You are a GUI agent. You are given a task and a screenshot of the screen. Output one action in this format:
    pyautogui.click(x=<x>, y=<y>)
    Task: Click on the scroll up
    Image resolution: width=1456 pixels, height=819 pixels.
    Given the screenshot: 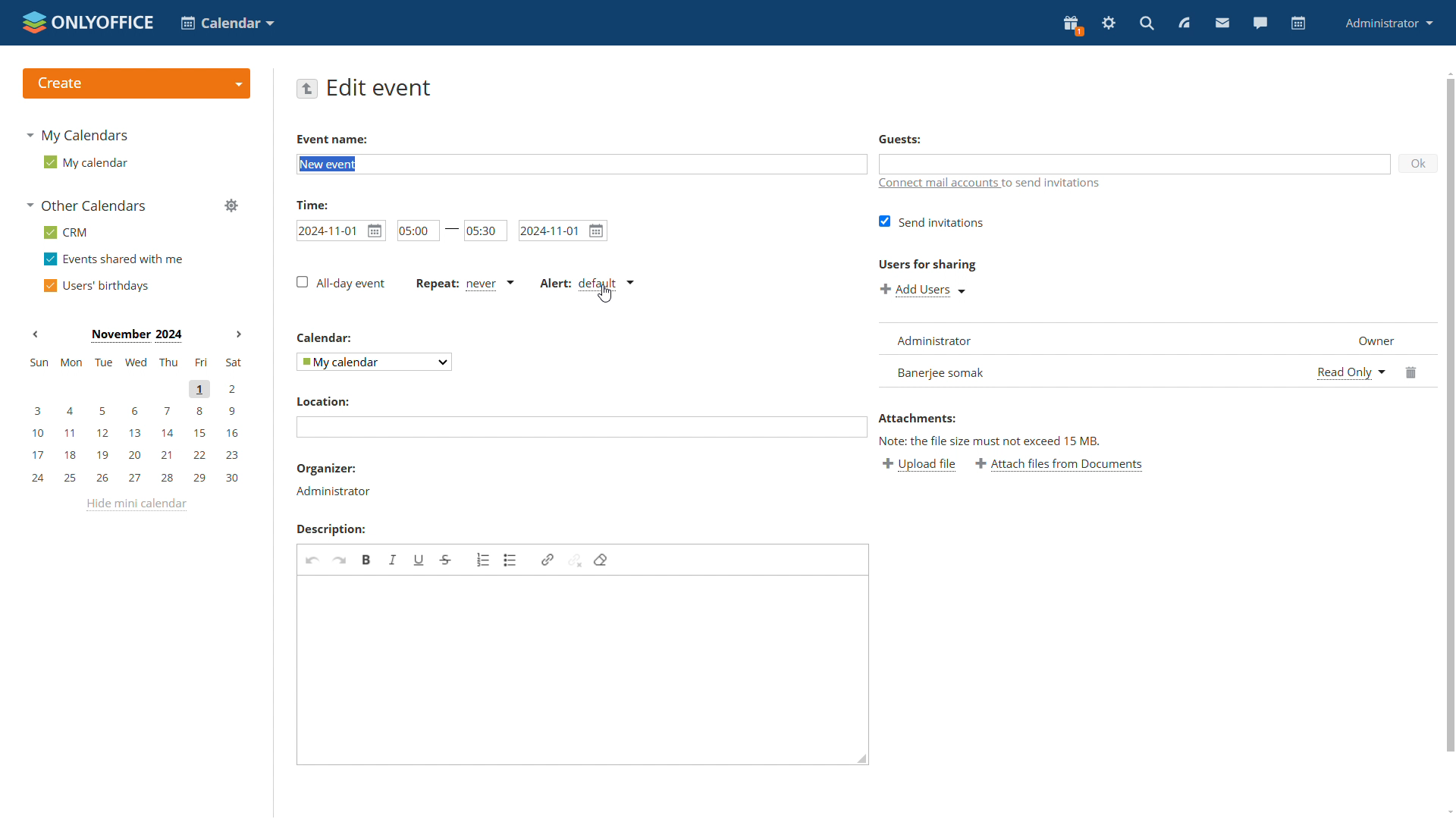 What is the action you would take?
    pyautogui.click(x=1450, y=74)
    